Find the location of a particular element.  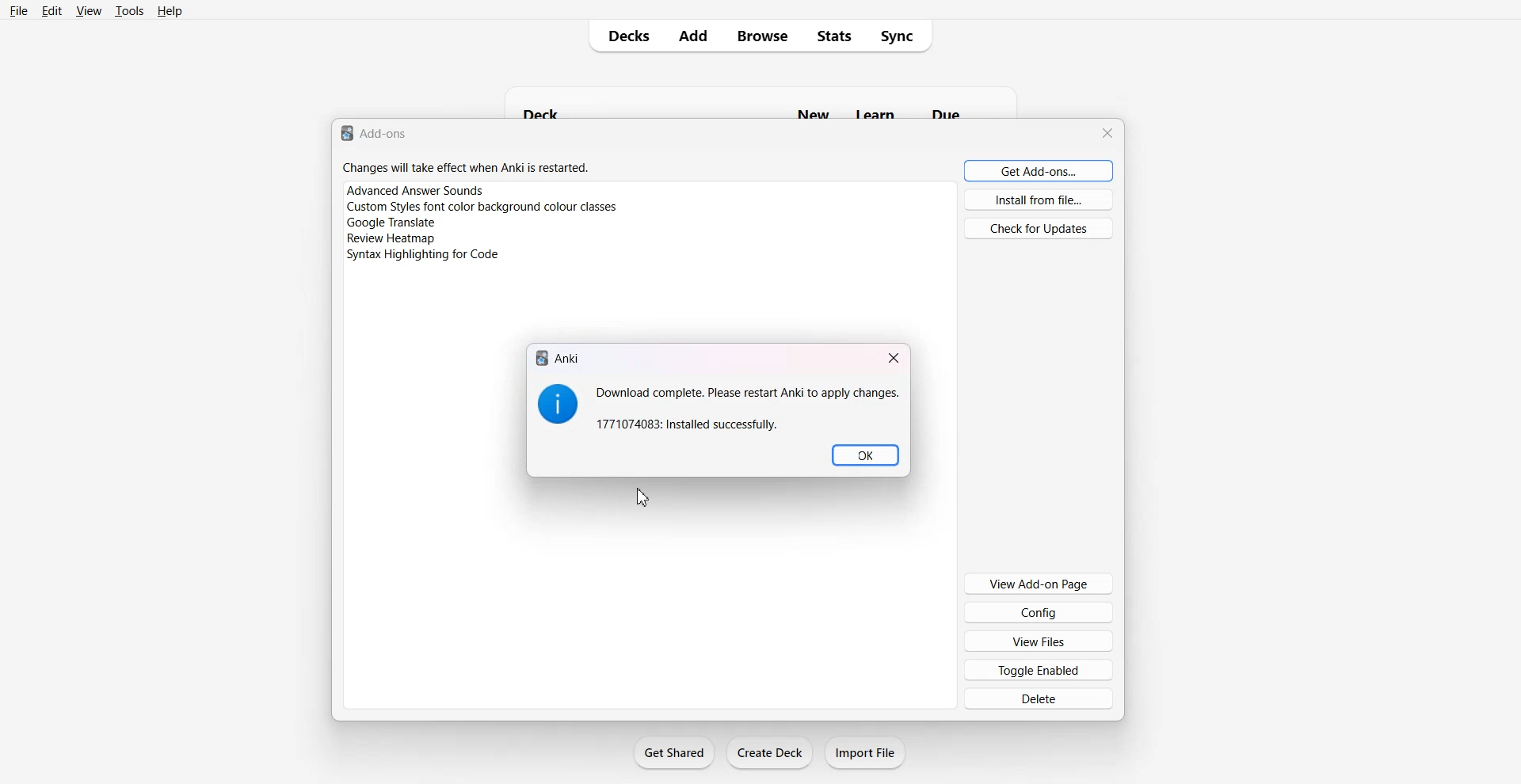

Install from file is located at coordinates (1039, 200).